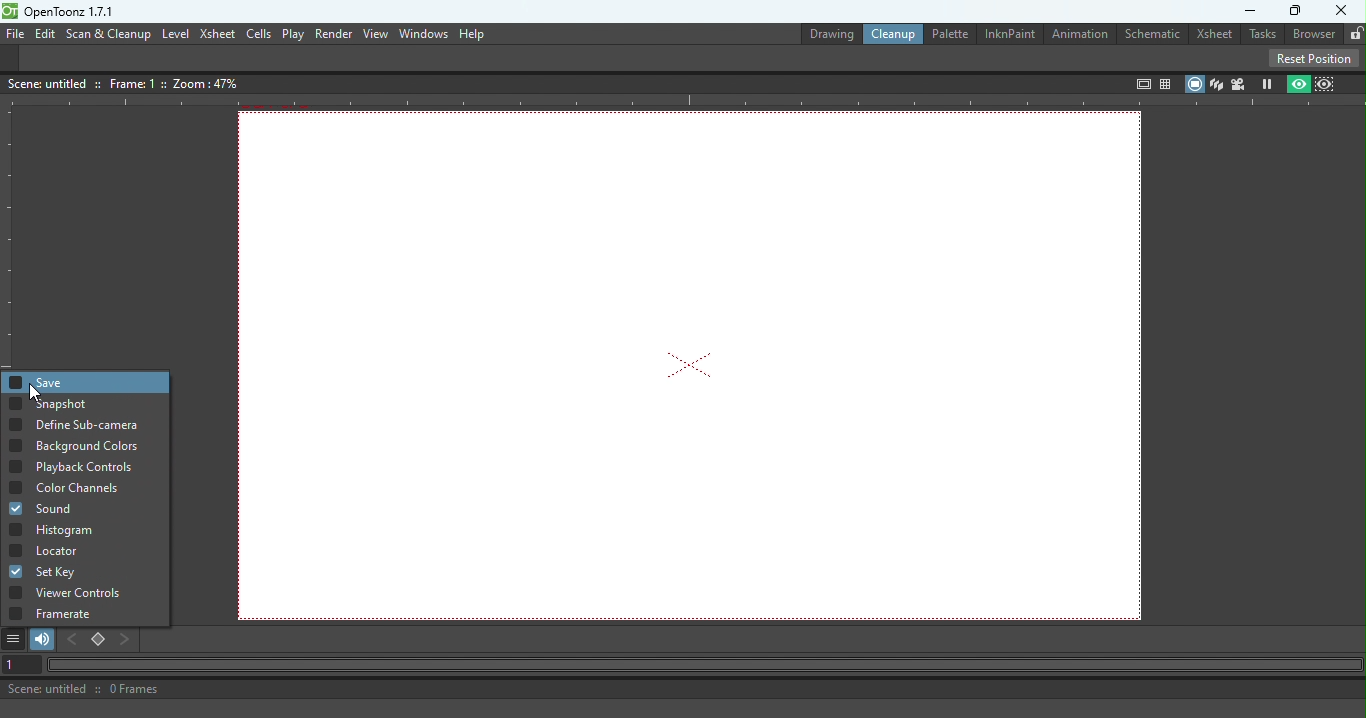  What do you see at coordinates (78, 424) in the screenshot?
I see `Define Sub-camera` at bounding box center [78, 424].